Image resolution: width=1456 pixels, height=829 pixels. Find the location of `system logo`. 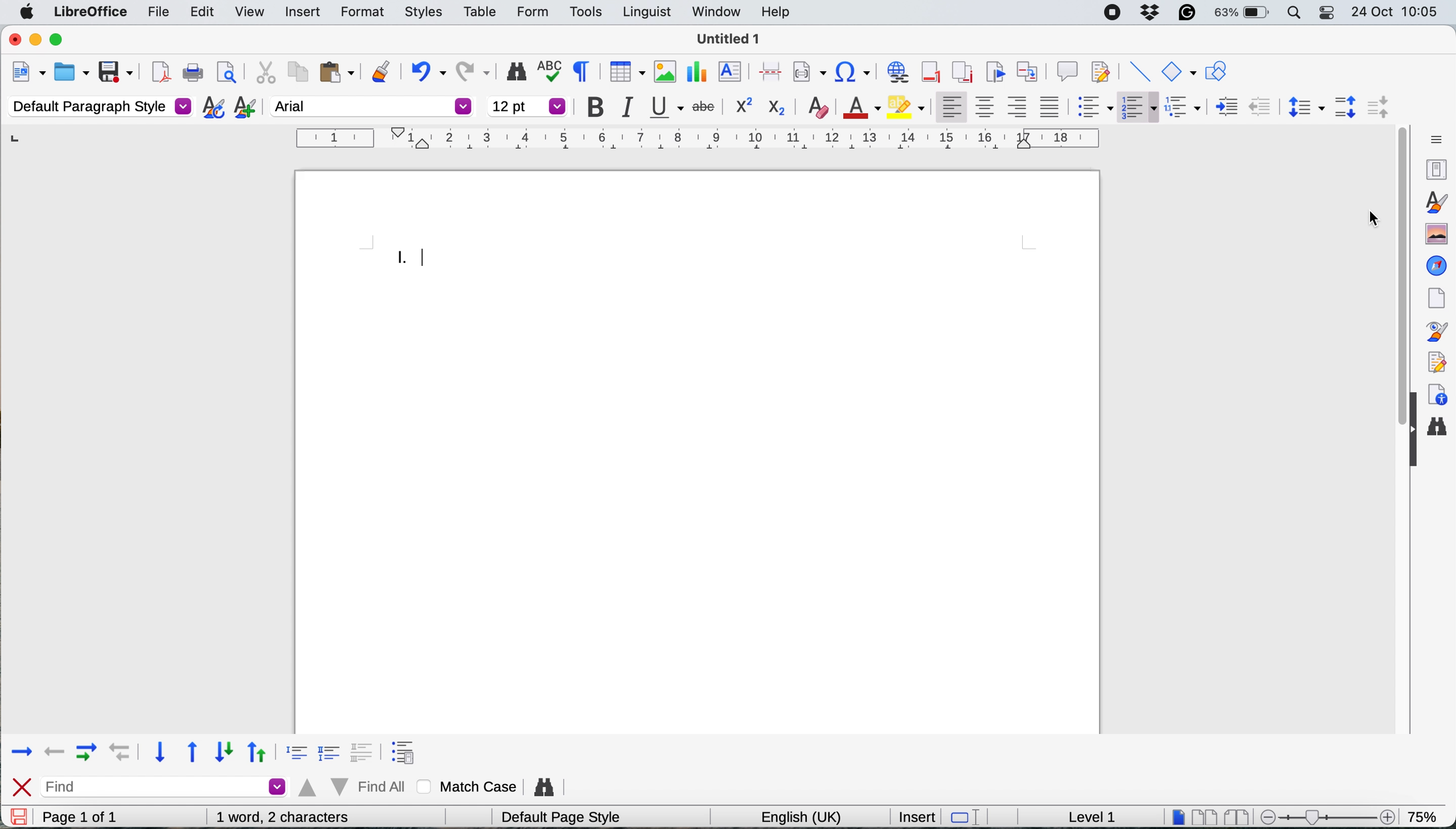

system logo is located at coordinates (27, 12).